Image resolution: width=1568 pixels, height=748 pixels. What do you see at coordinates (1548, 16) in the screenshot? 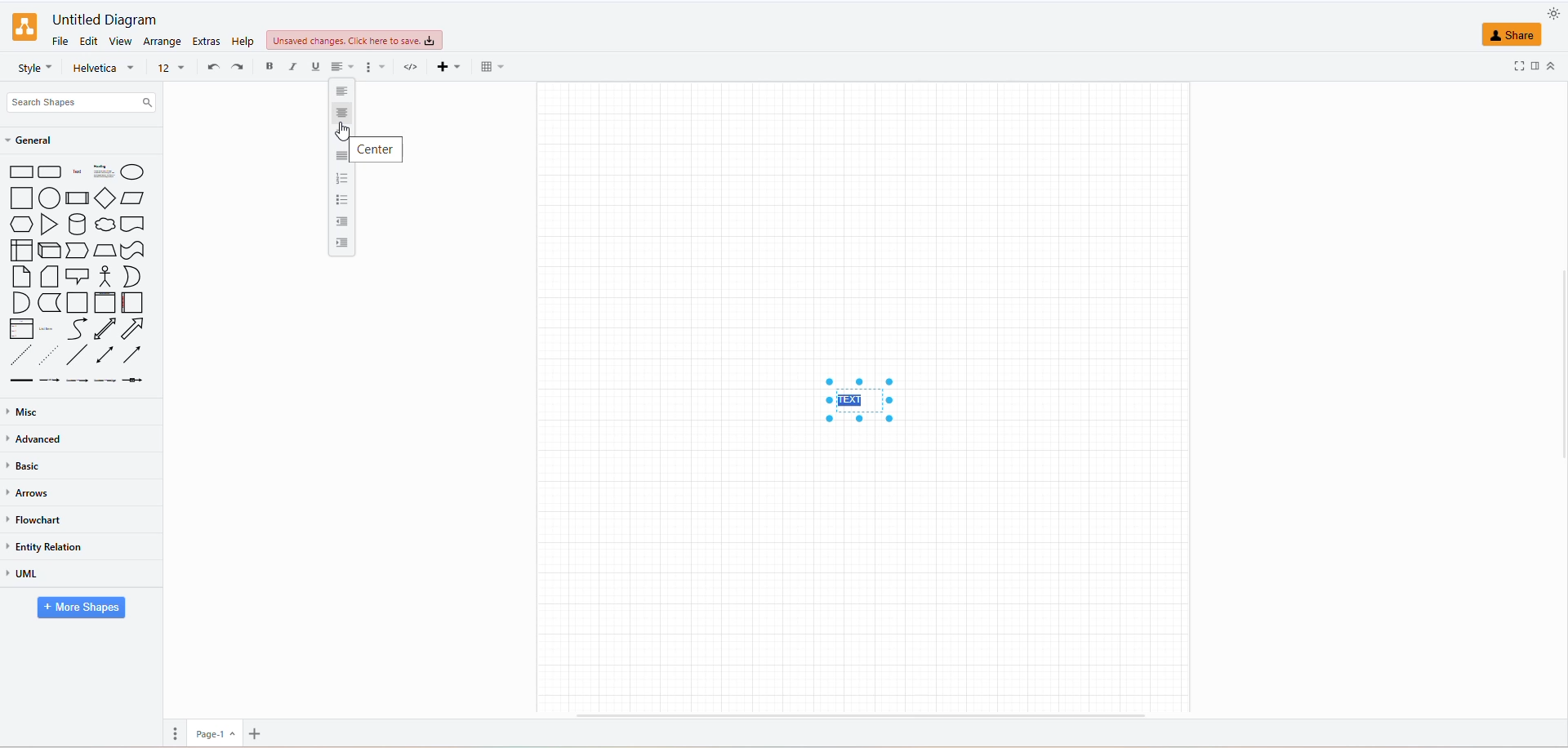
I see `appearance` at bounding box center [1548, 16].